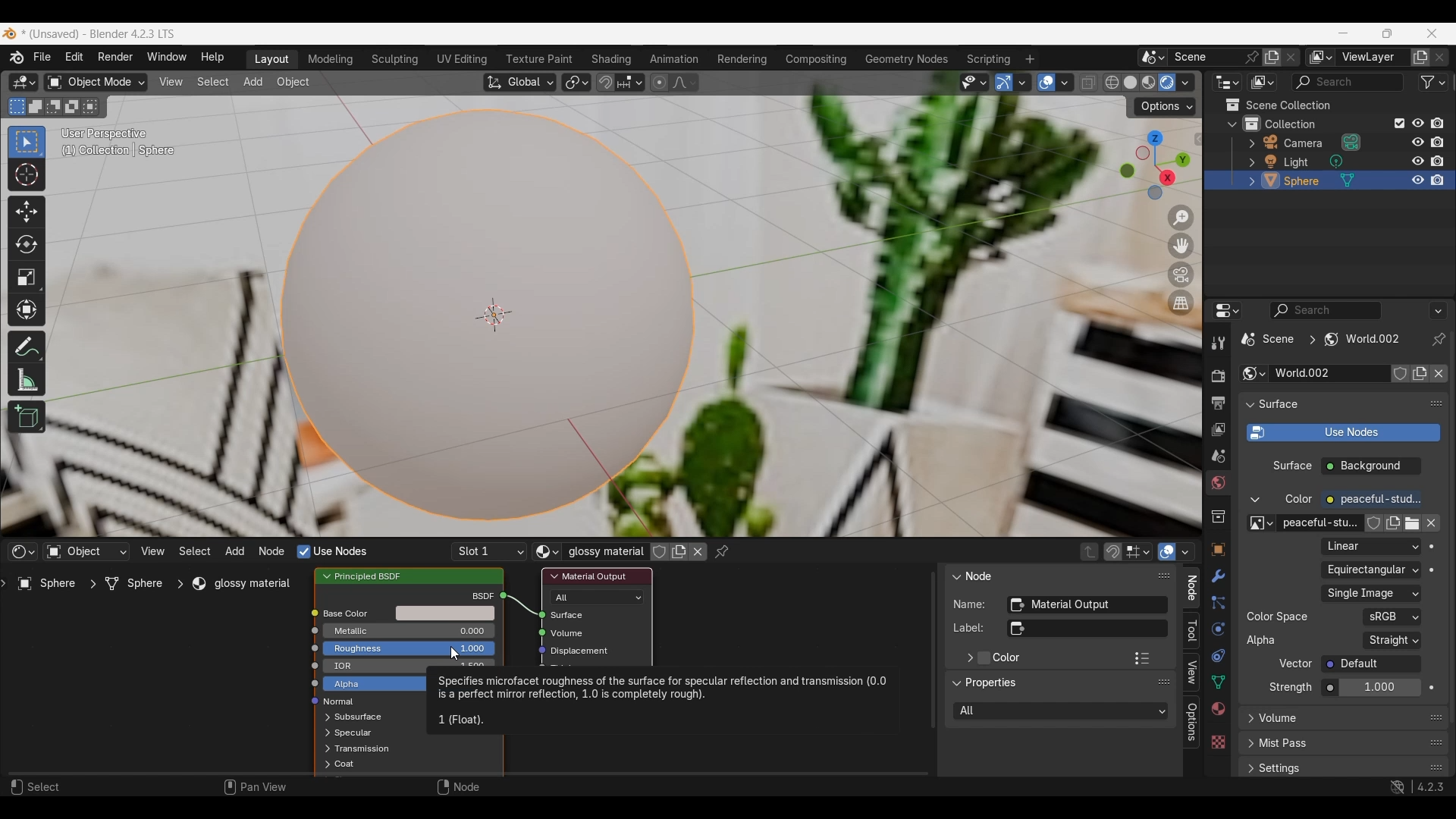 The height and width of the screenshot is (819, 1456). I want to click on List of slots, so click(489, 552).